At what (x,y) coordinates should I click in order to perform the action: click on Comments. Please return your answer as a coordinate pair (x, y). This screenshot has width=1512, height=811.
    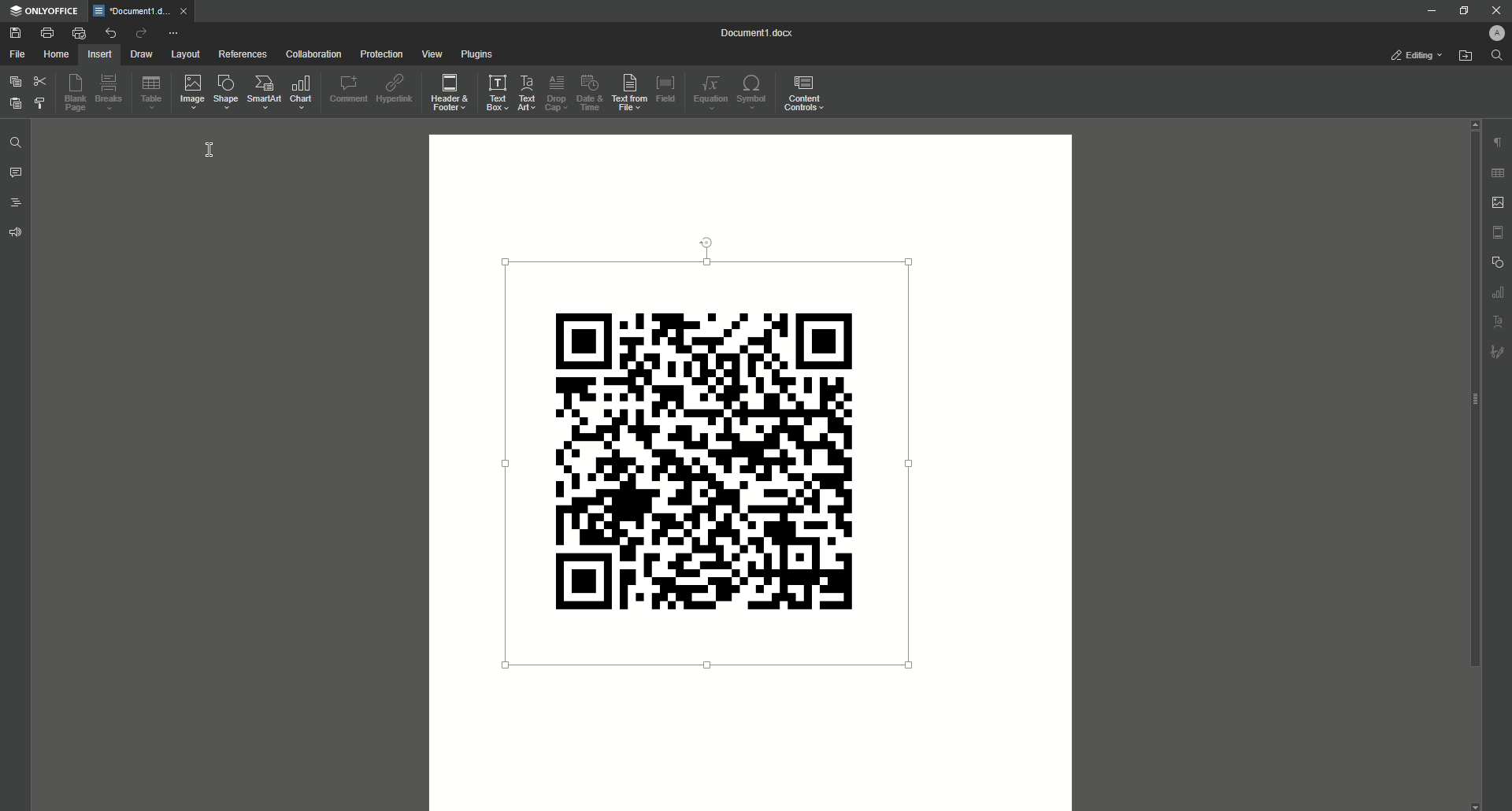
    Looking at the image, I should click on (17, 172).